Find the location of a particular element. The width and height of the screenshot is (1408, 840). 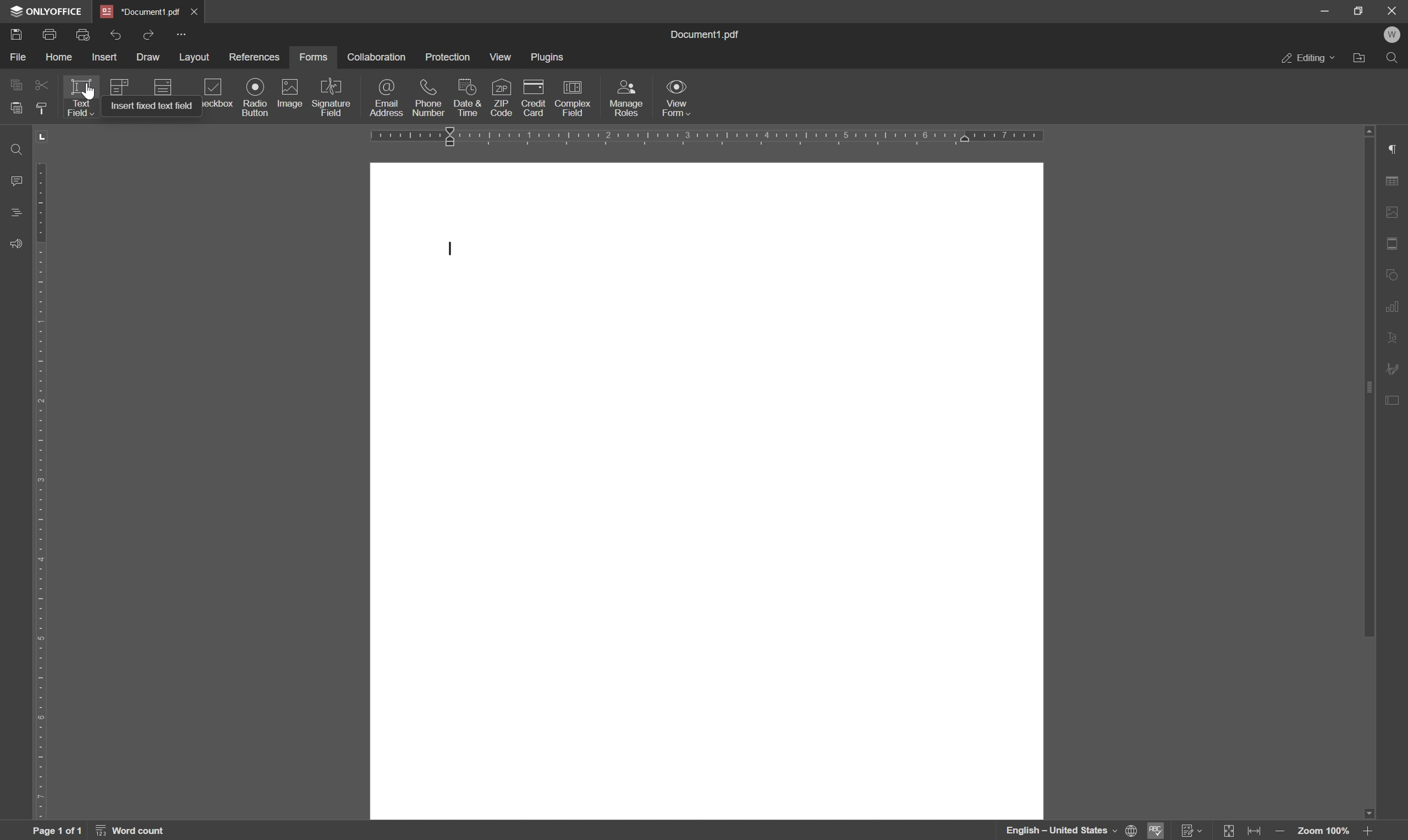

find is located at coordinates (13, 148).